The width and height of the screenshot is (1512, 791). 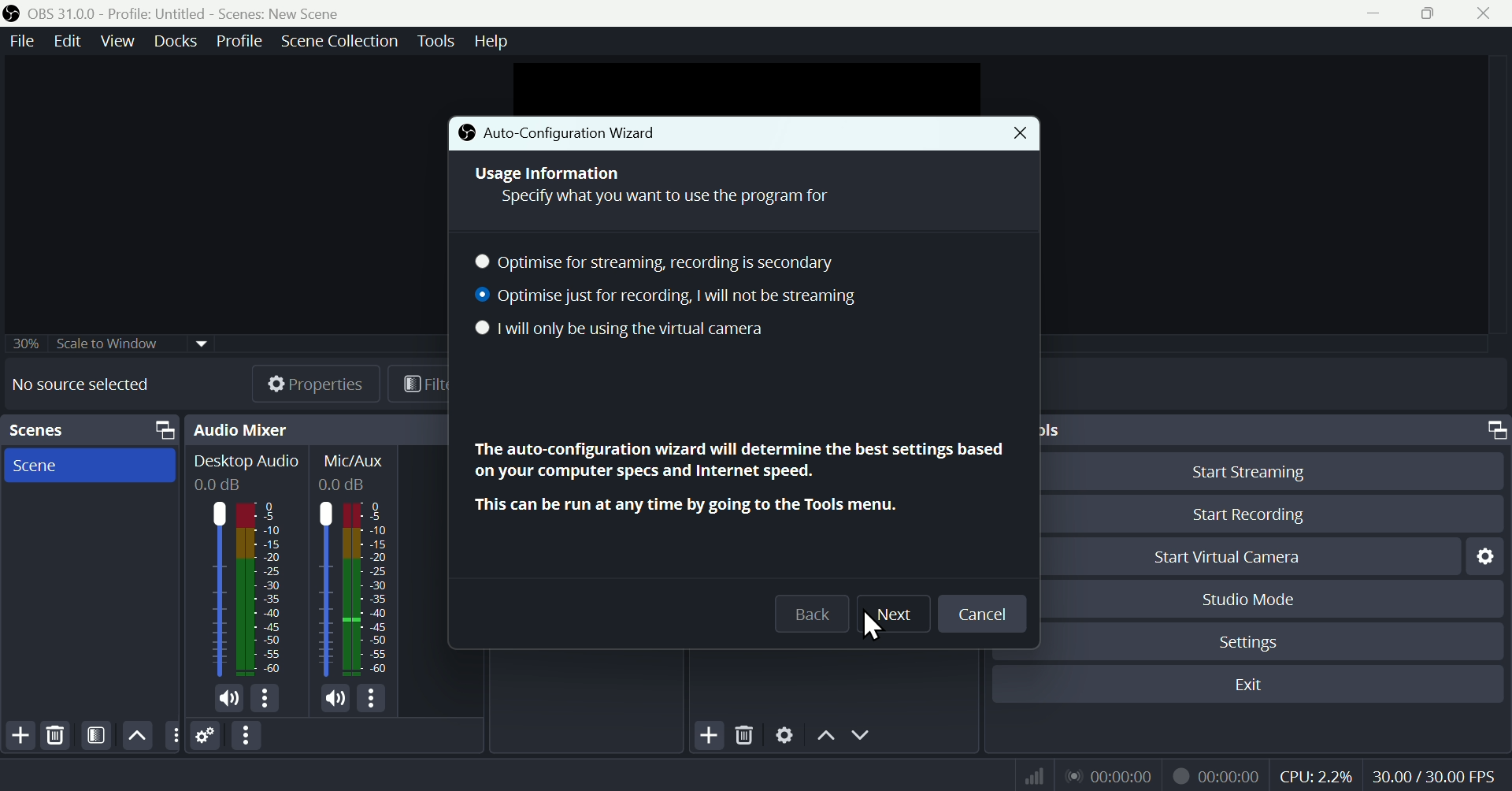 What do you see at coordinates (1271, 469) in the screenshot?
I see `Start Streaming` at bounding box center [1271, 469].